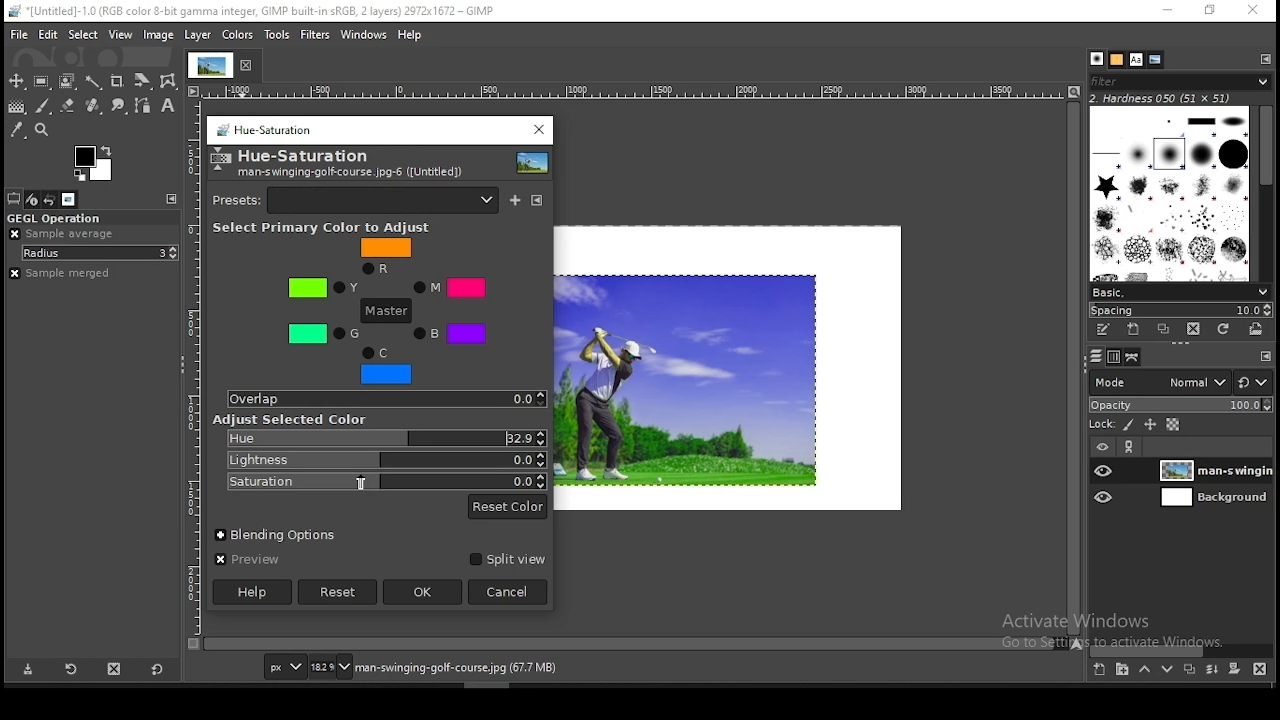 This screenshot has width=1280, height=720. What do you see at coordinates (305, 156) in the screenshot?
I see `hue-saturation` at bounding box center [305, 156].